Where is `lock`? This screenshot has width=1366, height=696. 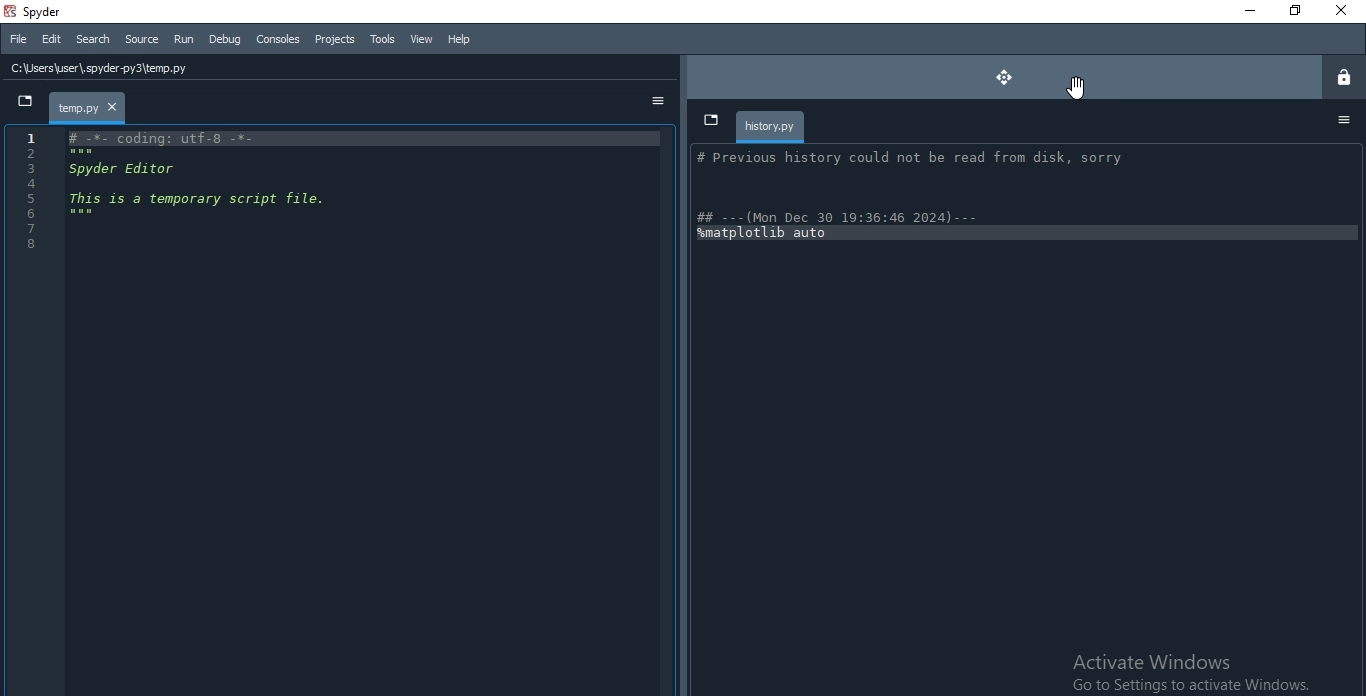
lock is located at coordinates (1345, 76).